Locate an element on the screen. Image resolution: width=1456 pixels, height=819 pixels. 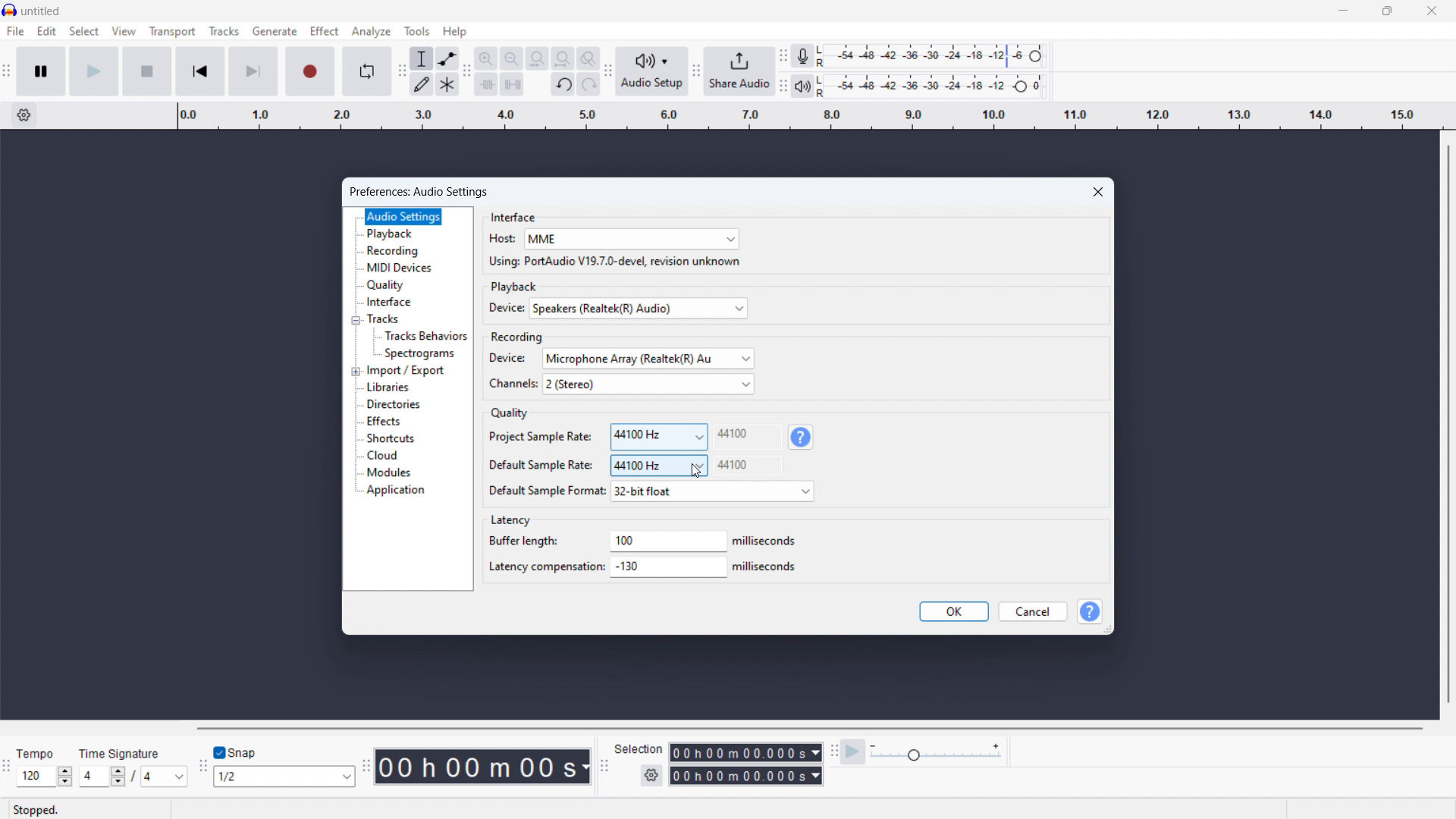
project sample rate is located at coordinates (658, 437).